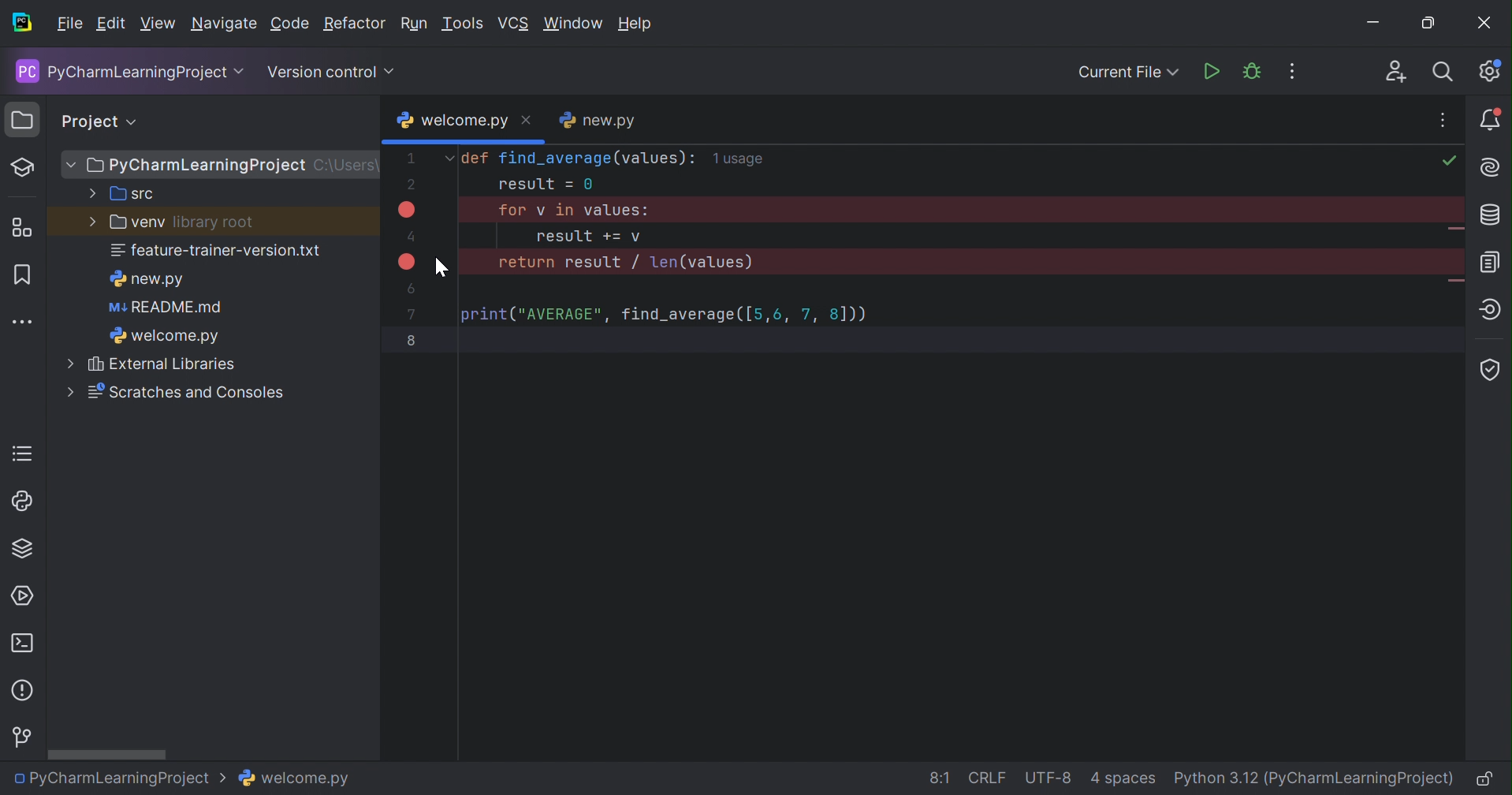  I want to click on 2, so click(410, 188).